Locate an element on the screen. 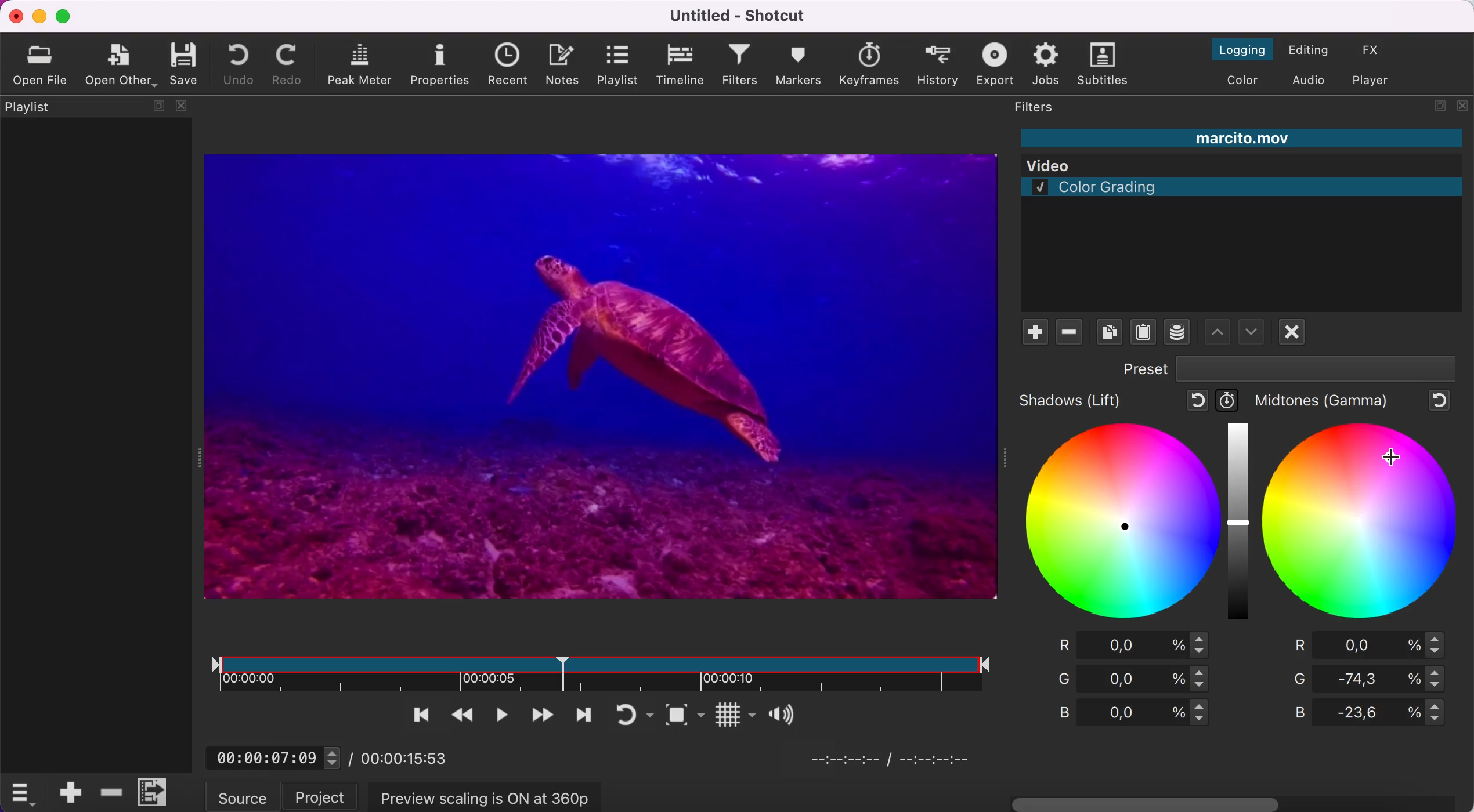 This screenshot has width=1474, height=812. Untitled - Shotcut is located at coordinates (739, 16).